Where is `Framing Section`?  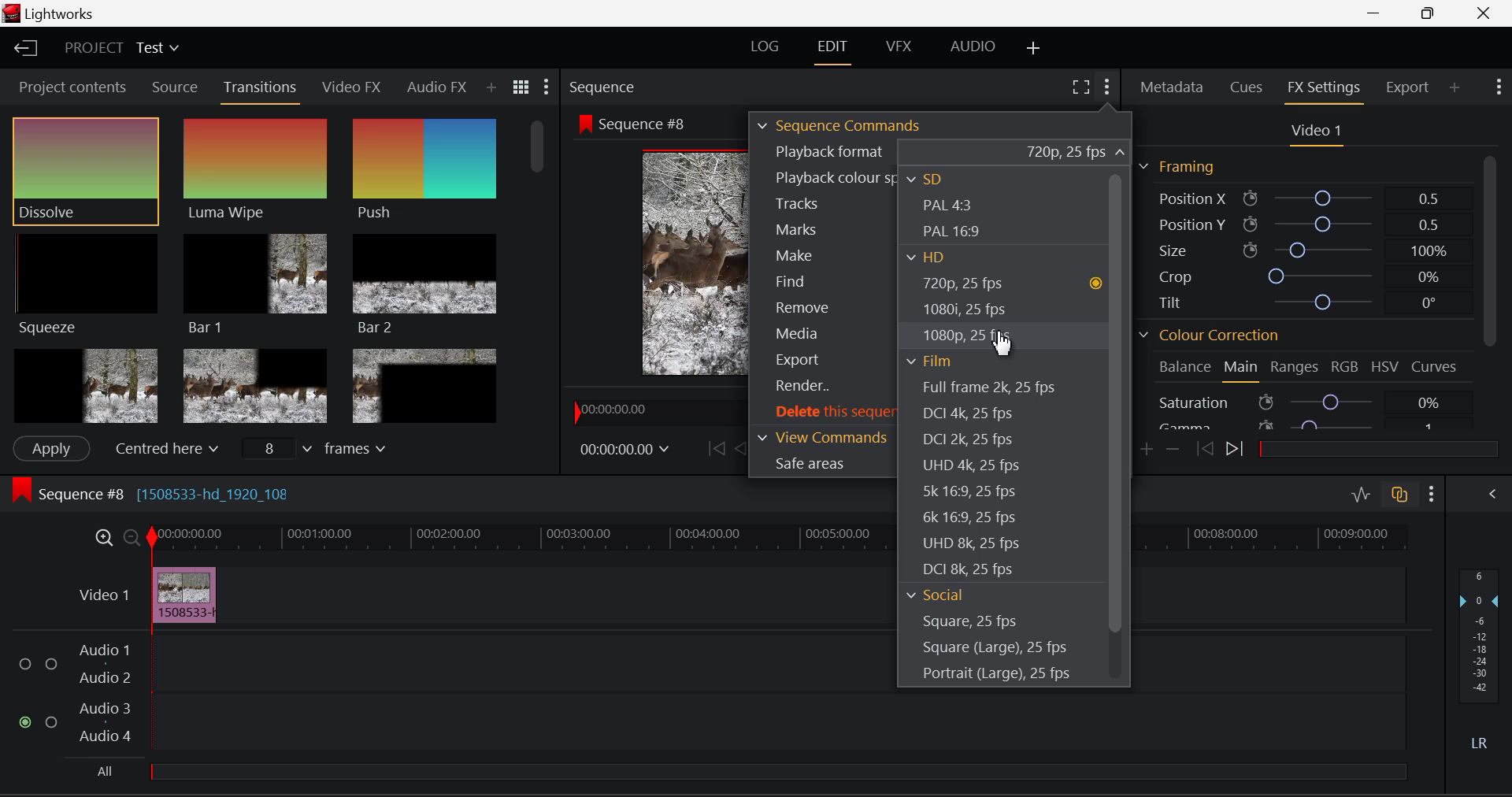
Framing Section is located at coordinates (1177, 167).